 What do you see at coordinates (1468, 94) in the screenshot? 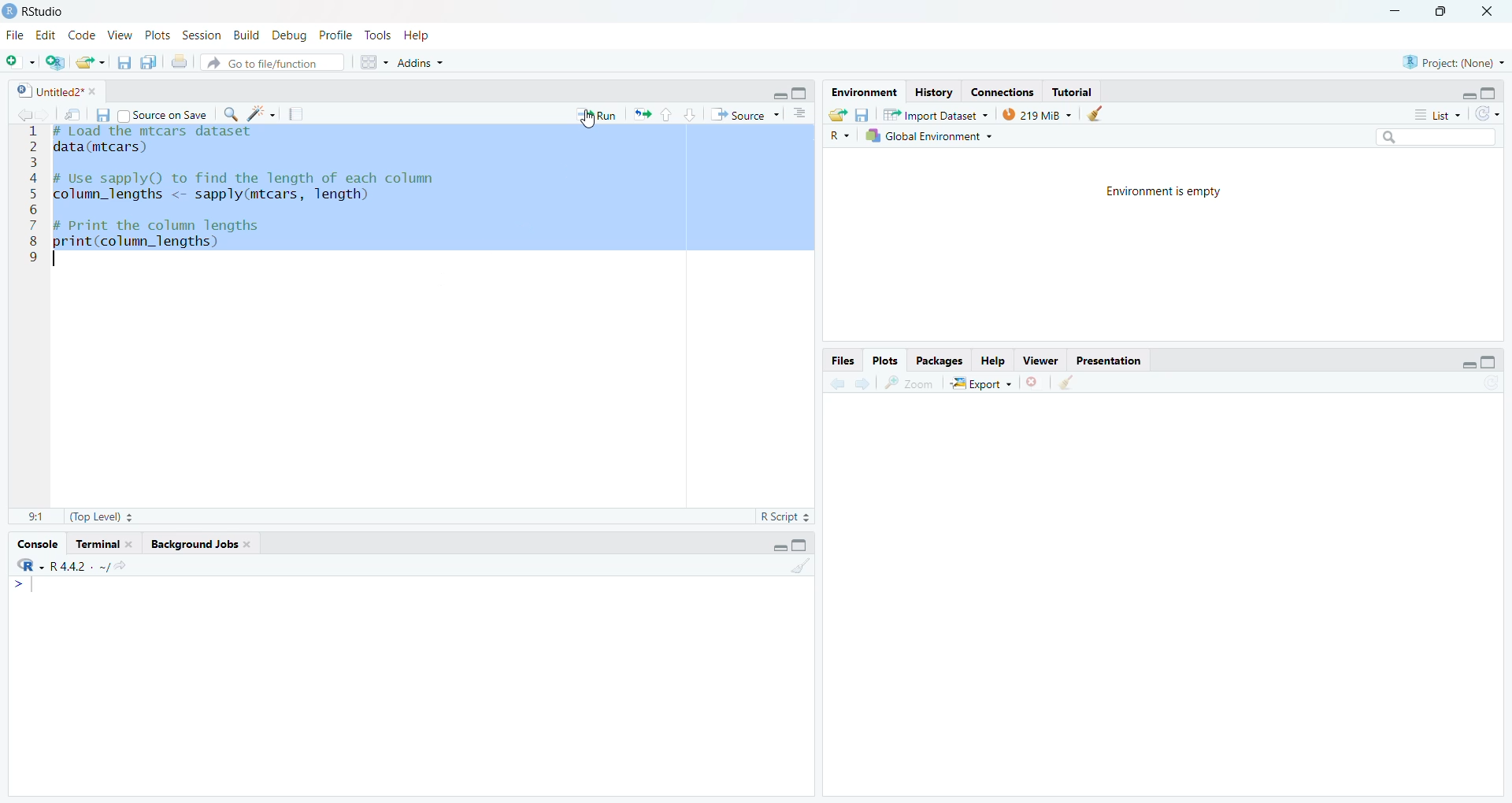
I see `Hide` at bounding box center [1468, 94].